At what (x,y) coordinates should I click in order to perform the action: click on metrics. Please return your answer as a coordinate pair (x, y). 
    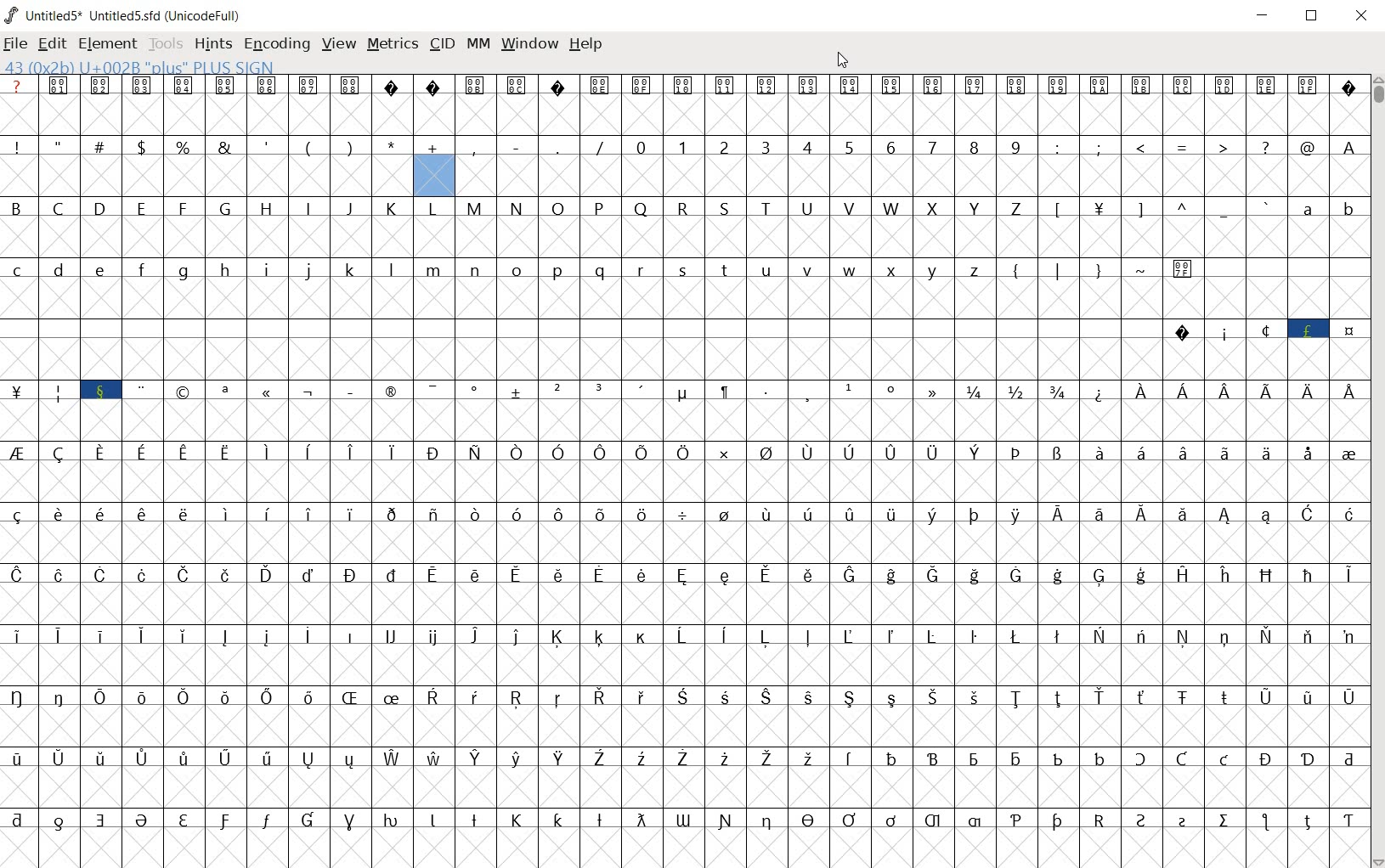
    Looking at the image, I should click on (392, 45).